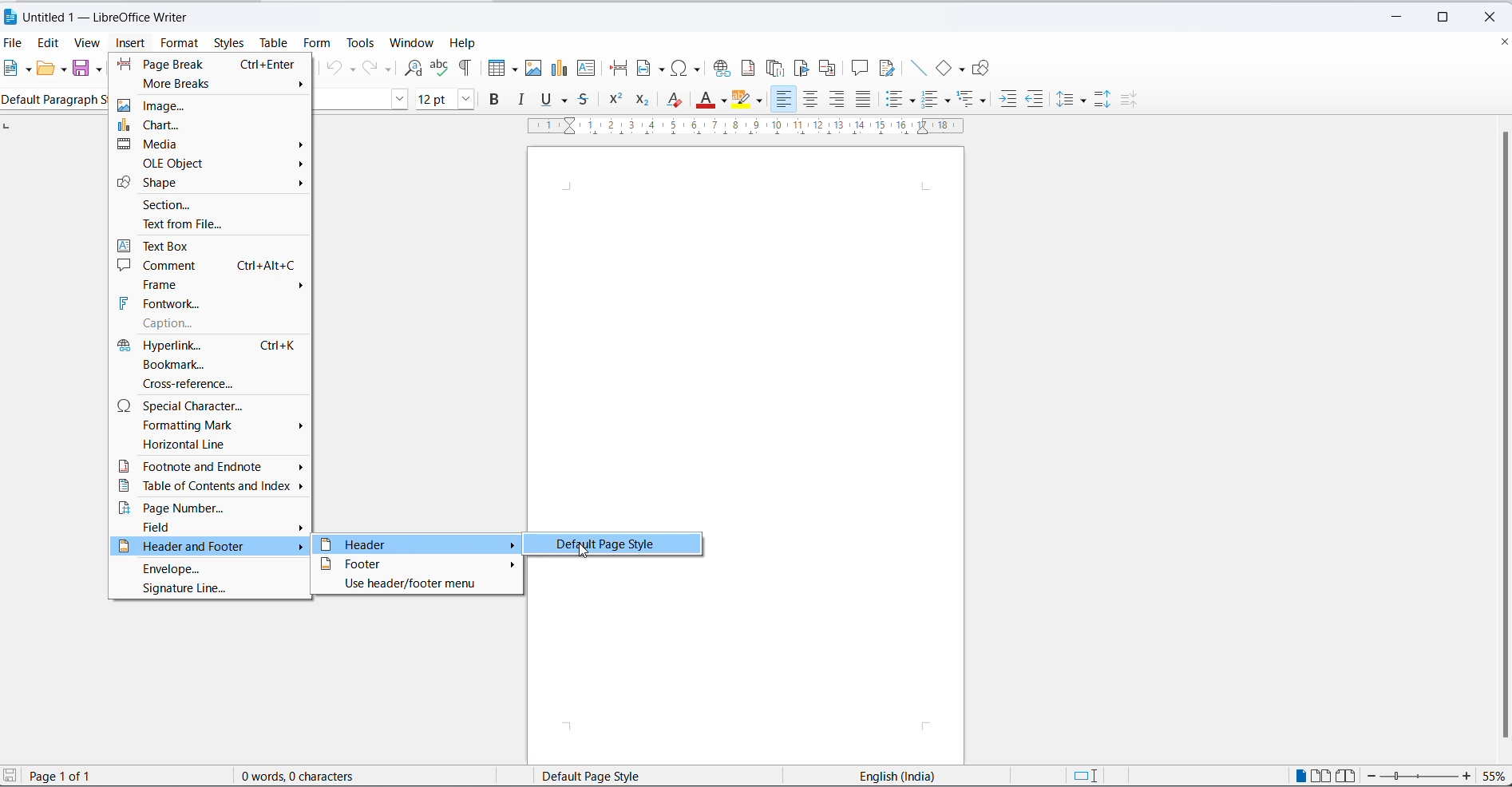  I want to click on chart, so click(212, 125).